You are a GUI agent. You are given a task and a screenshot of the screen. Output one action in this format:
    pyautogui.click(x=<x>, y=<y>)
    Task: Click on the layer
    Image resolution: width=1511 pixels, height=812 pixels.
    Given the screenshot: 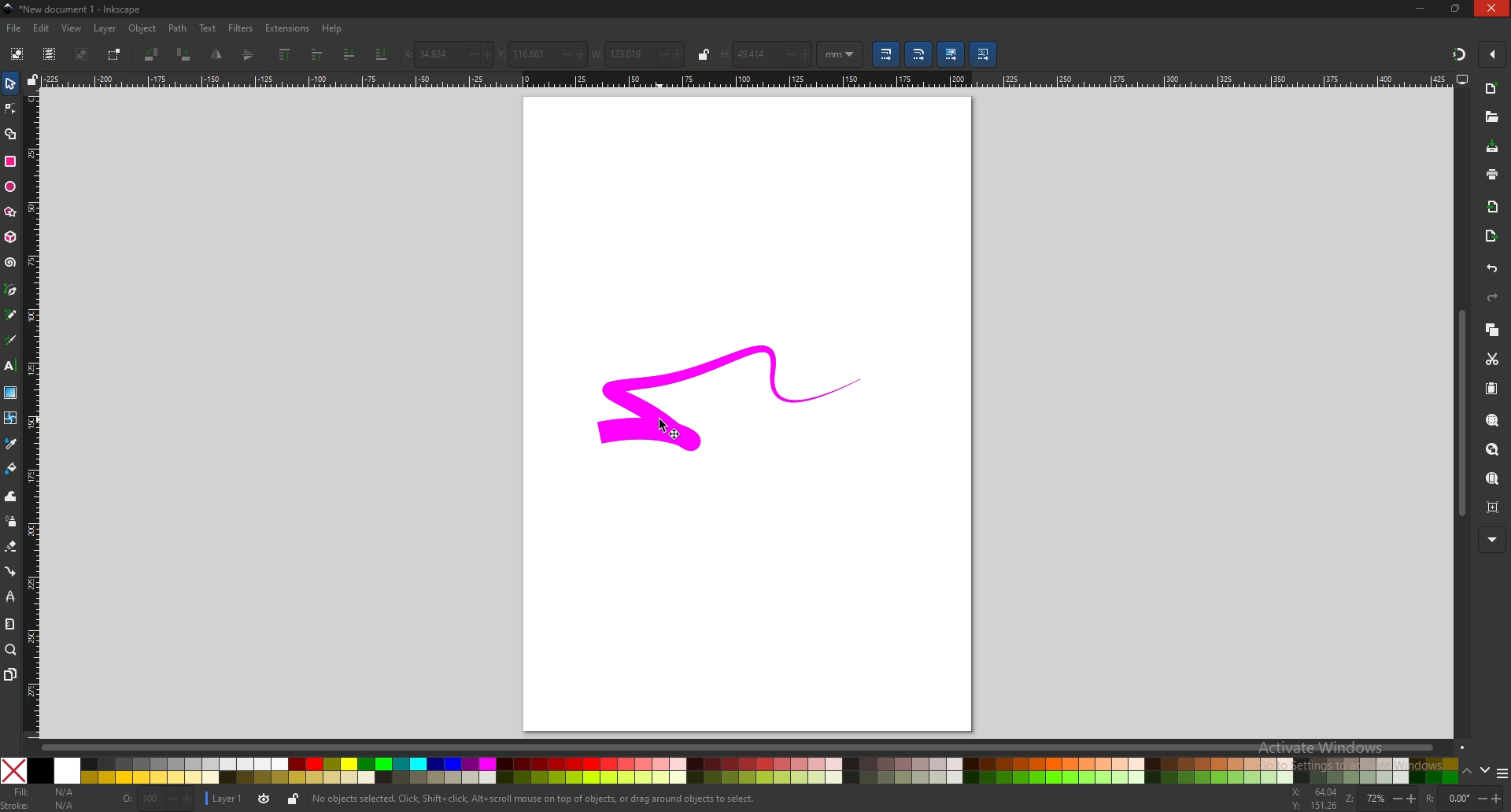 What is the action you would take?
    pyautogui.click(x=105, y=29)
    